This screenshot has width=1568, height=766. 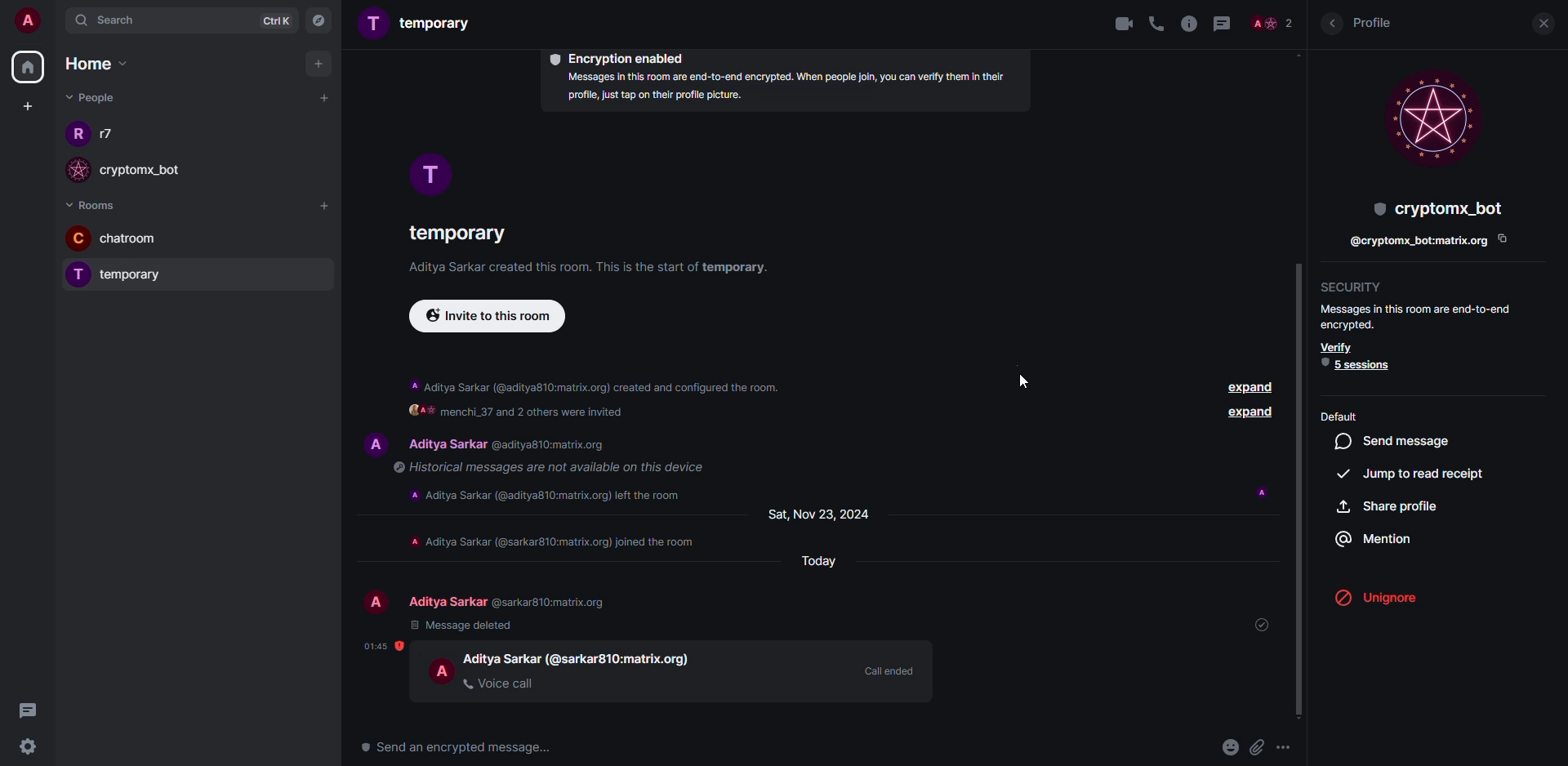 I want to click on info, so click(x=596, y=383).